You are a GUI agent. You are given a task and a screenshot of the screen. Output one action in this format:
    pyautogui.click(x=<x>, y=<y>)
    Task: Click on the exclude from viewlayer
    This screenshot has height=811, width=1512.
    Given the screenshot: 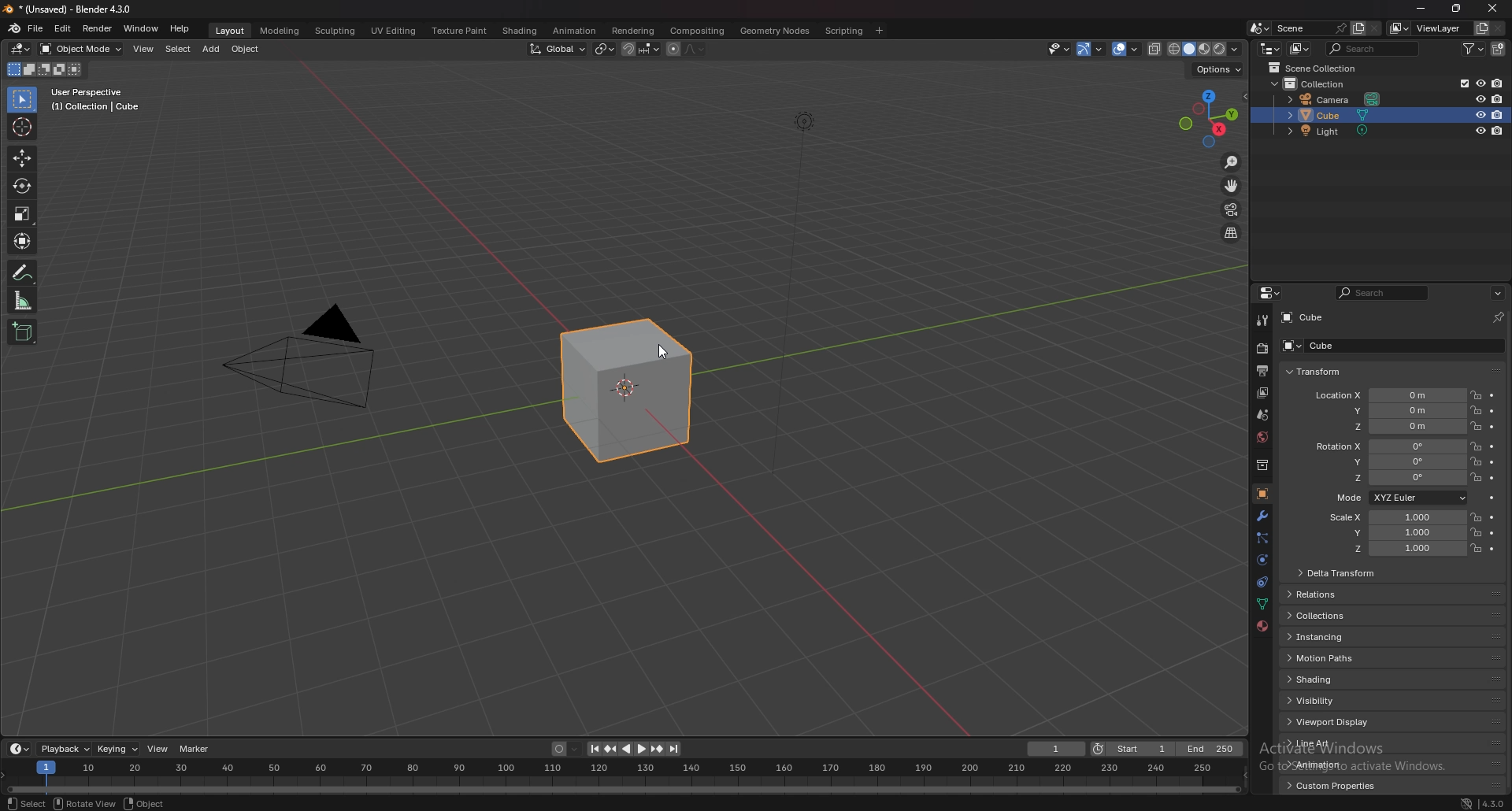 What is the action you would take?
    pyautogui.click(x=1459, y=83)
    